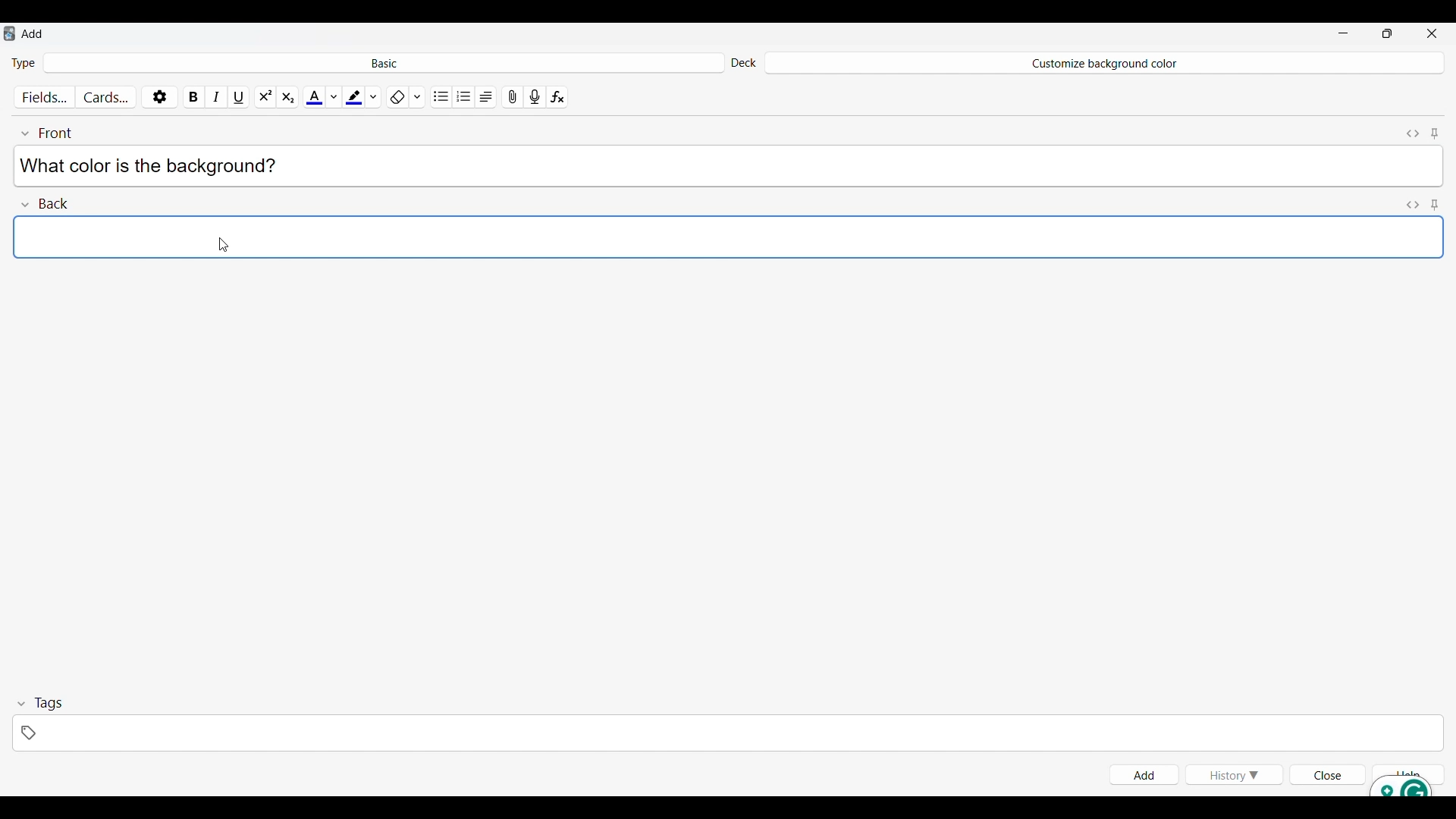  Describe the element at coordinates (1401, 786) in the screenshot. I see `Grammarly extension` at that location.